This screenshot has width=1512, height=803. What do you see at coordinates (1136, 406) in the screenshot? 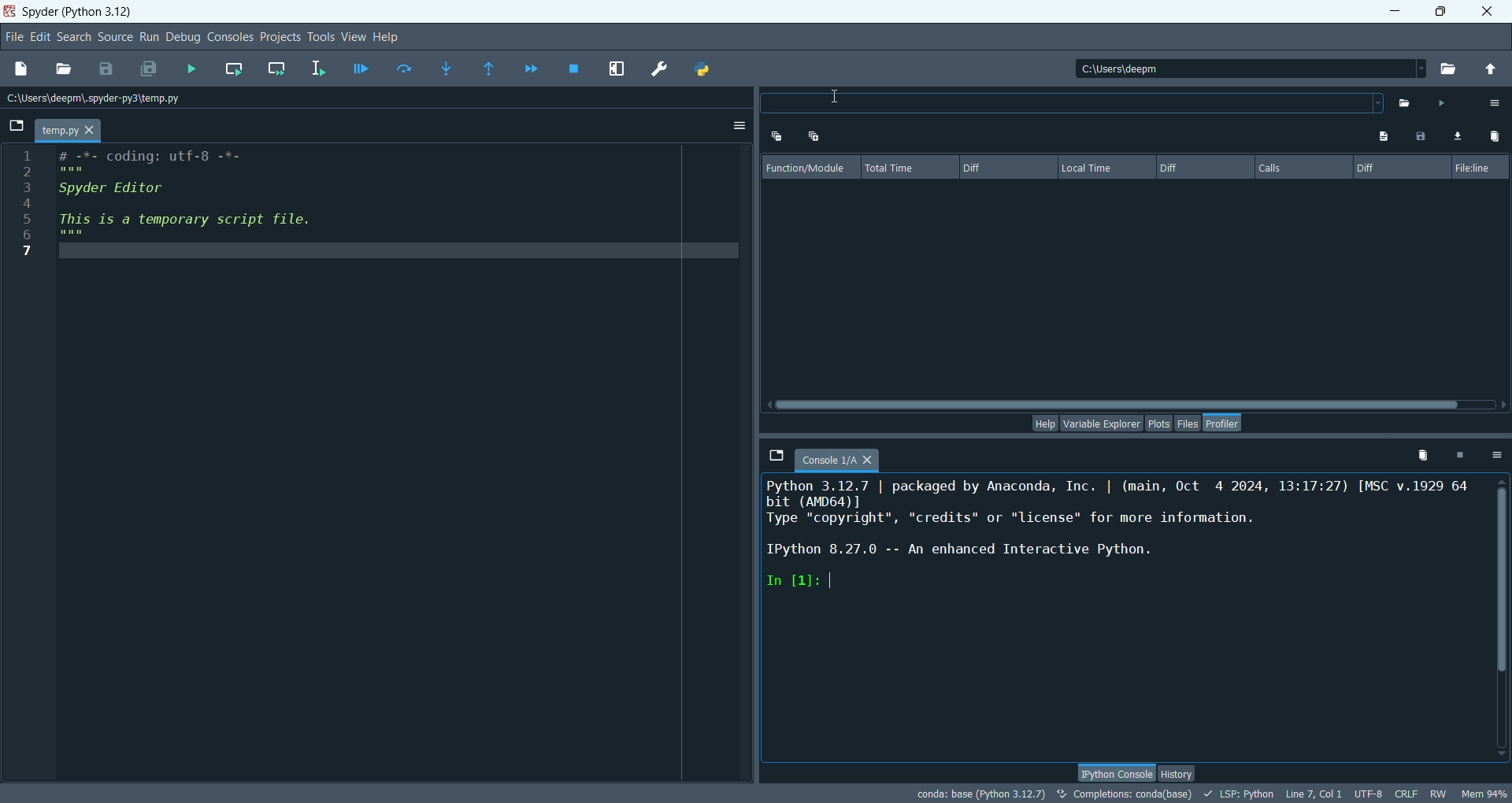
I see `horizontal scroll bar` at bounding box center [1136, 406].